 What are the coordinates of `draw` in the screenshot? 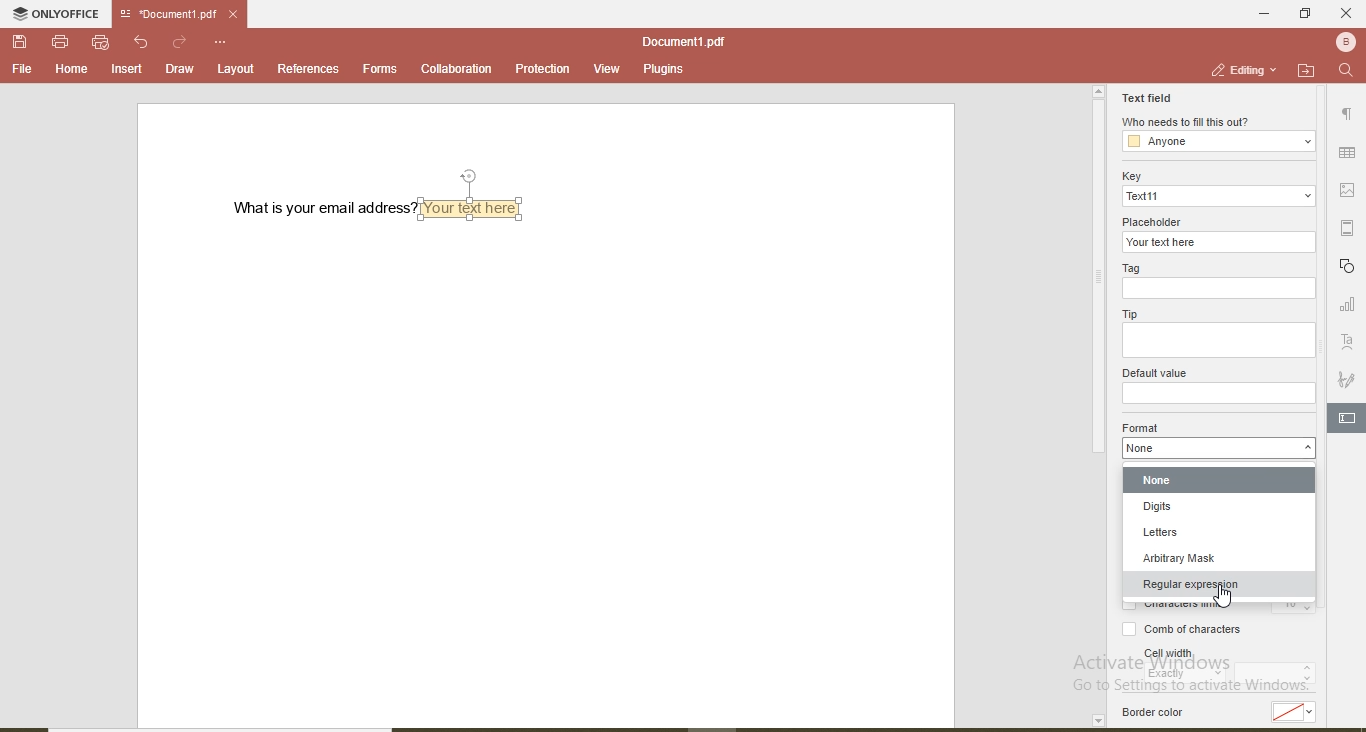 It's located at (178, 68).